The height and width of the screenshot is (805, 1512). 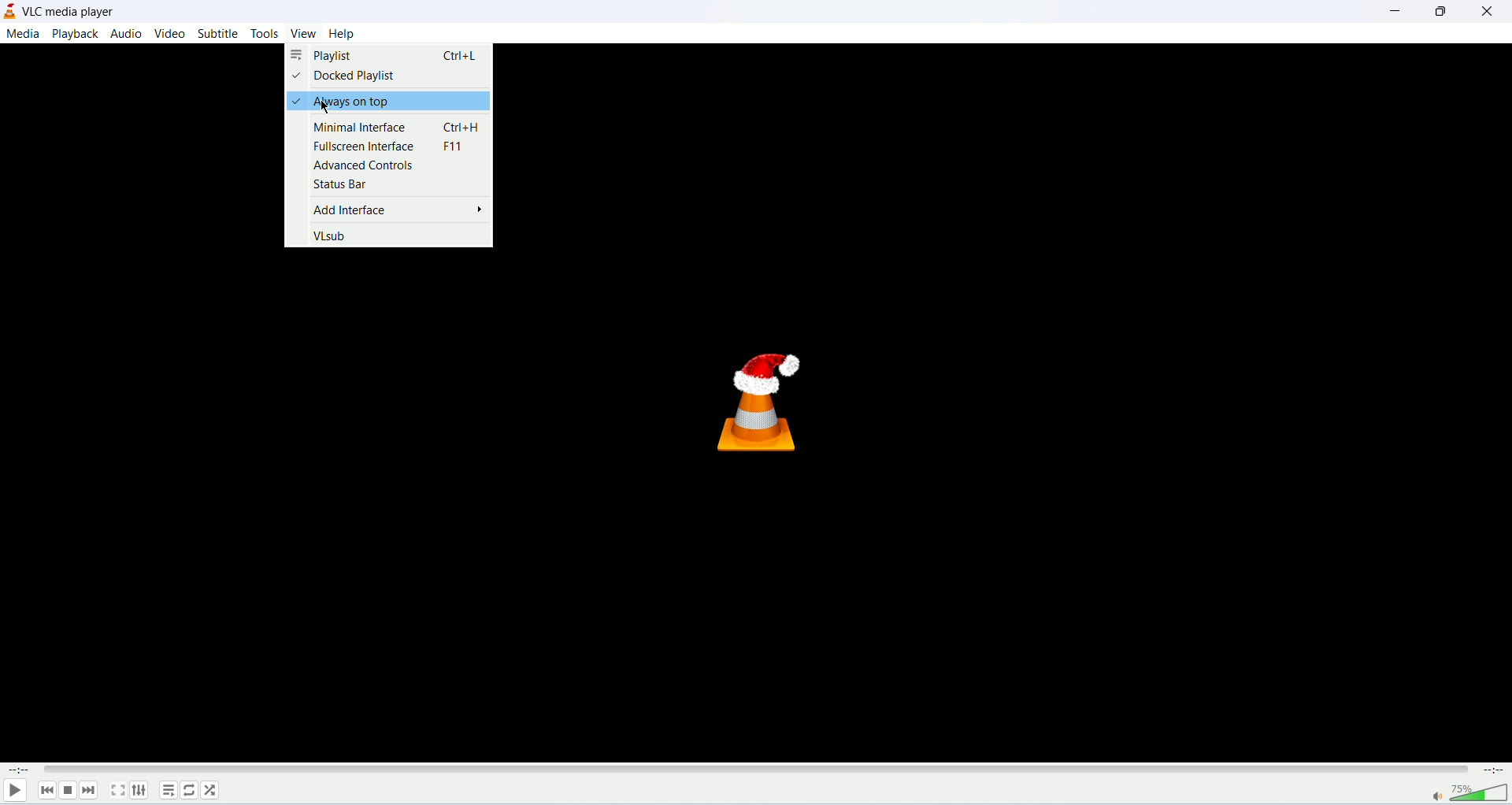 What do you see at coordinates (213, 792) in the screenshot?
I see `shuffle` at bounding box center [213, 792].